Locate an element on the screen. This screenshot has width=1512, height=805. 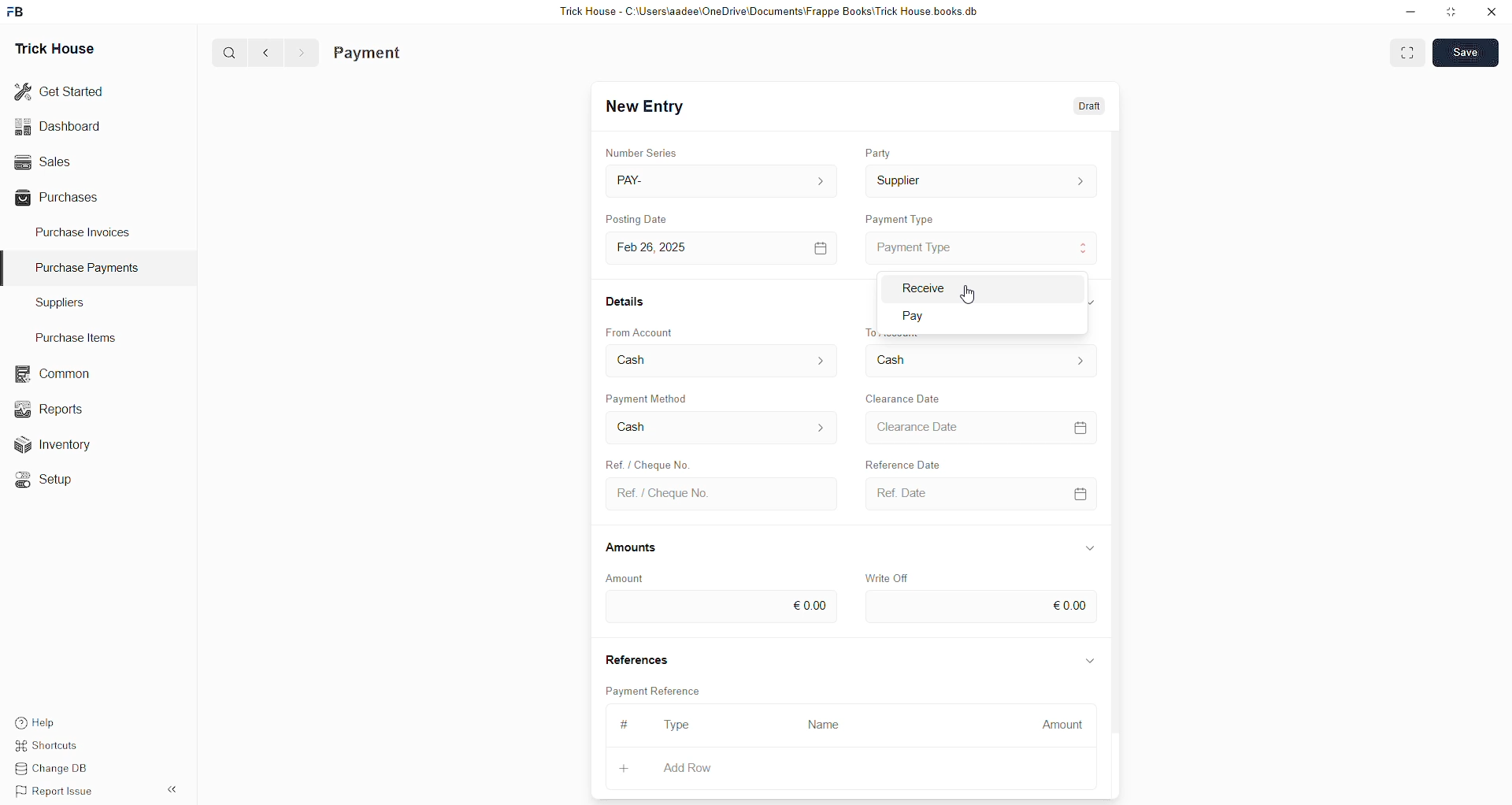
From Account is located at coordinates (642, 331).